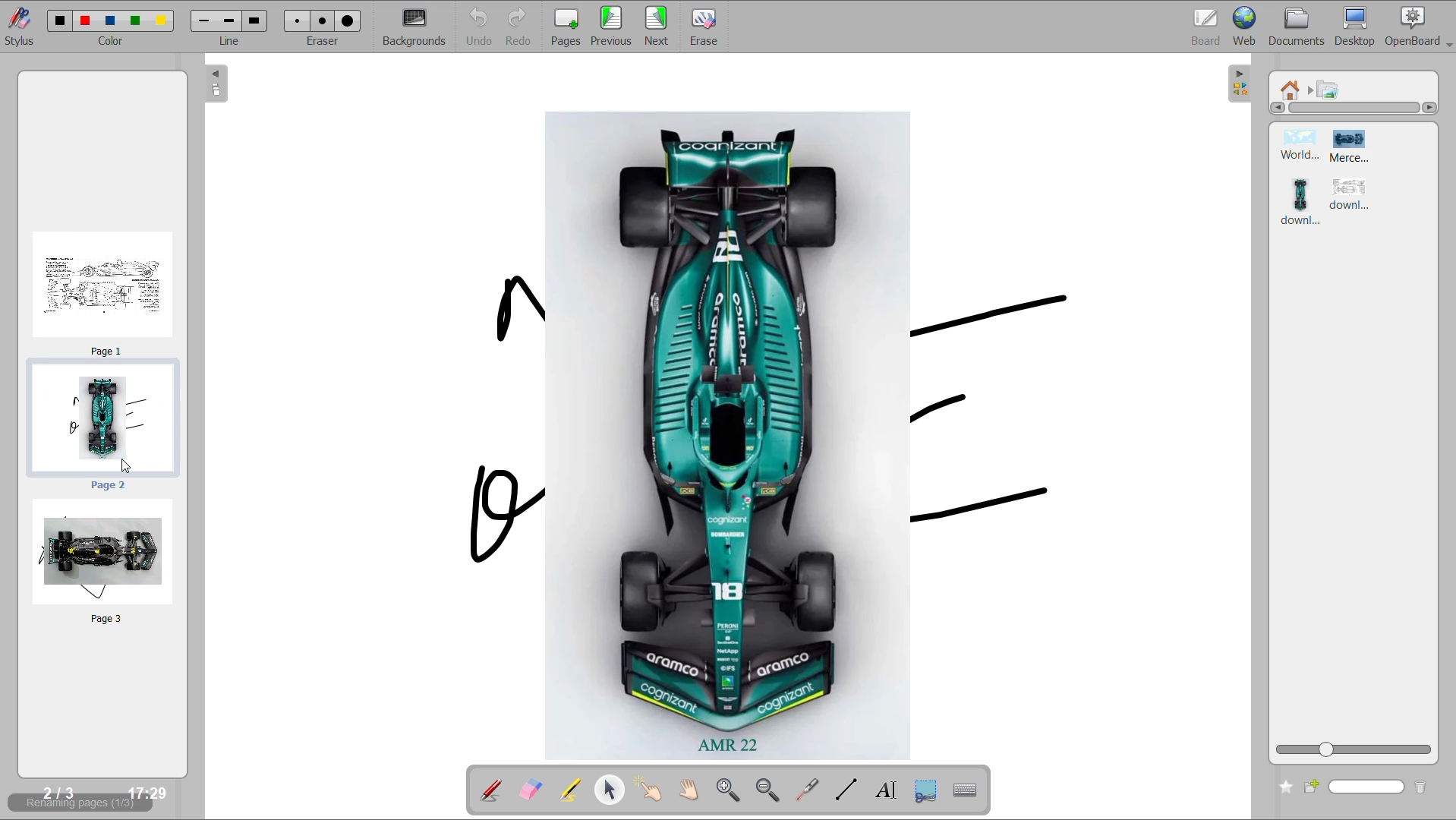 This screenshot has height=820, width=1456. I want to click on rearranged page 2, so click(105, 429).